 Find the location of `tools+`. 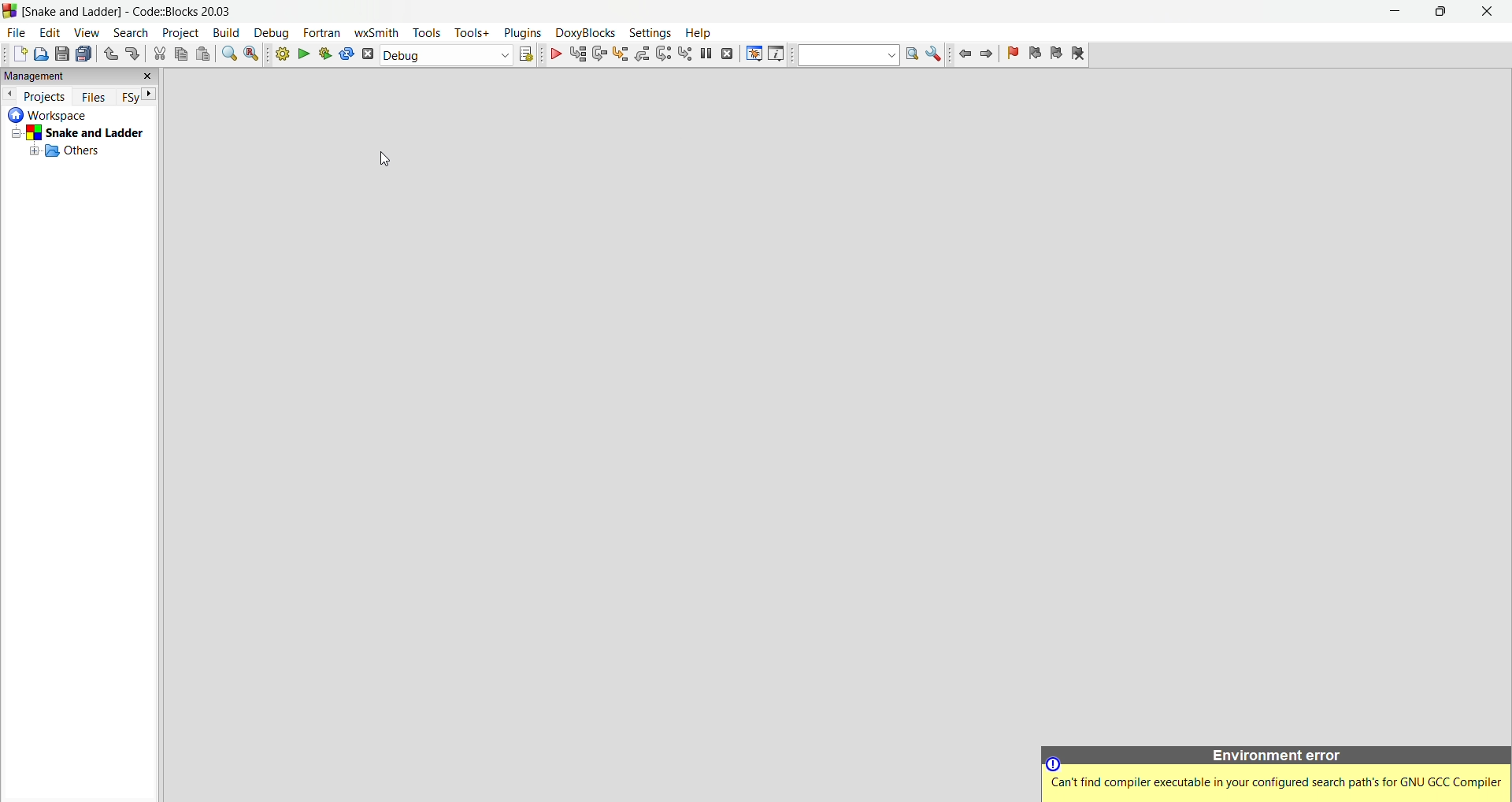

tools+ is located at coordinates (471, 33).